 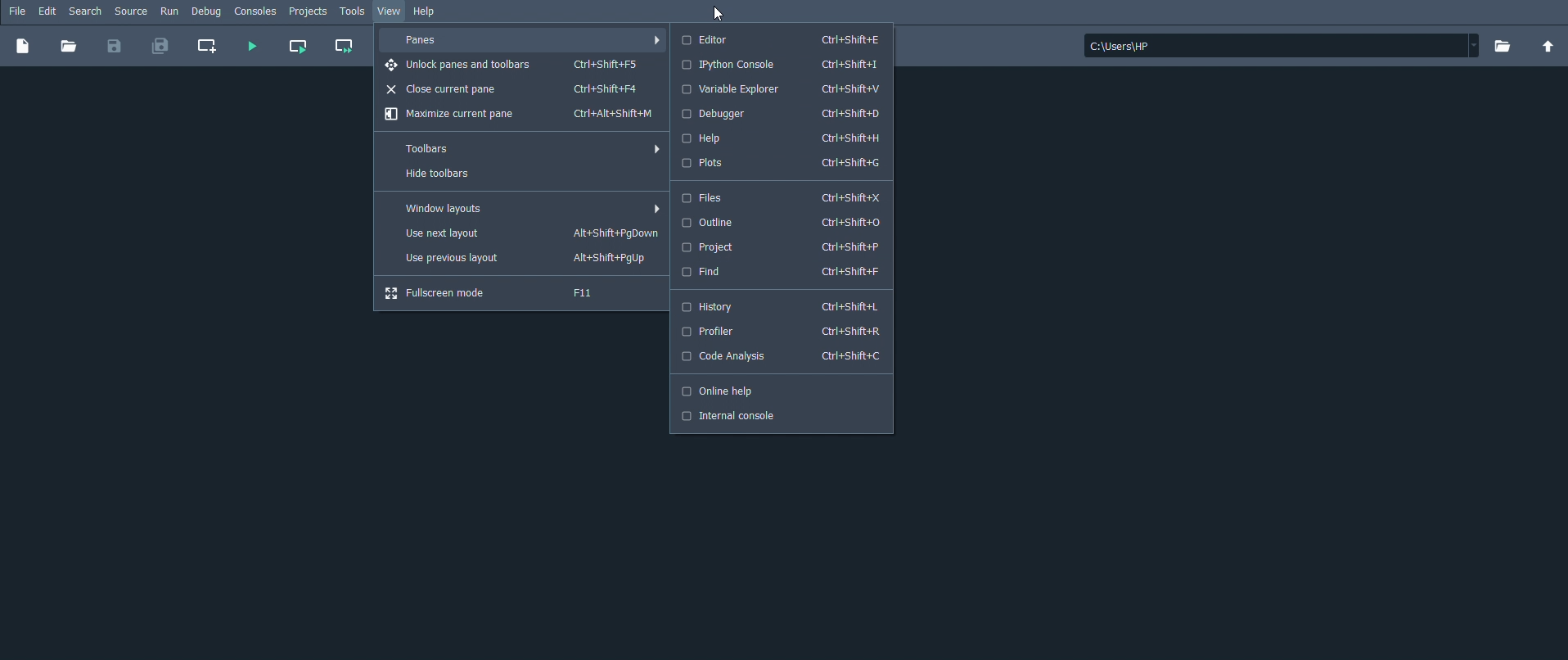 What do you see at coordinates (298, 47) in the screenshot?
I see `Run current cell` at bounding box center [298, 47].